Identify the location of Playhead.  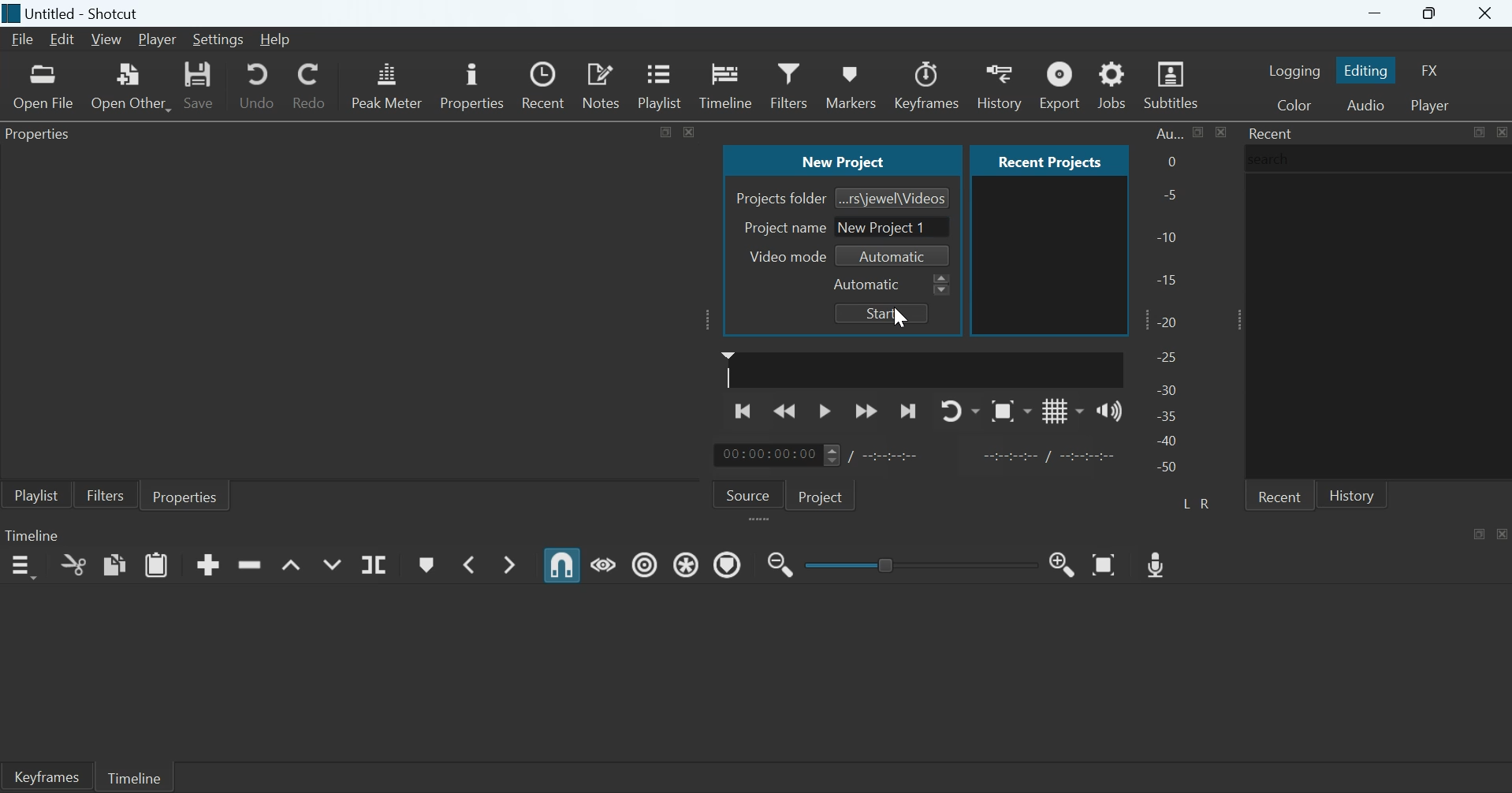
(728, 369).